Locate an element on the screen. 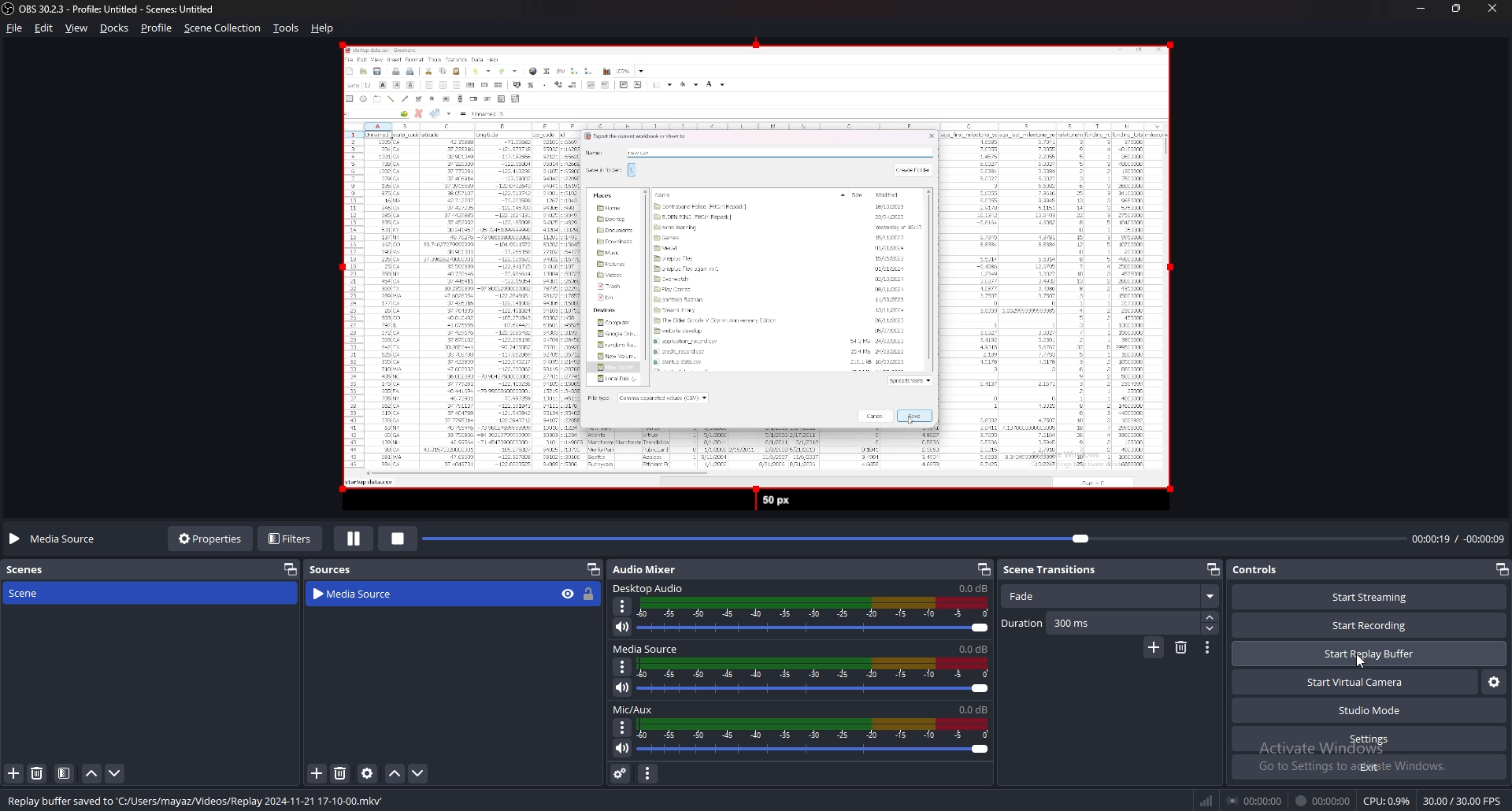 This screenshot has width=1512, height=811. start virtual camera is located at coordinates (1355, 682).